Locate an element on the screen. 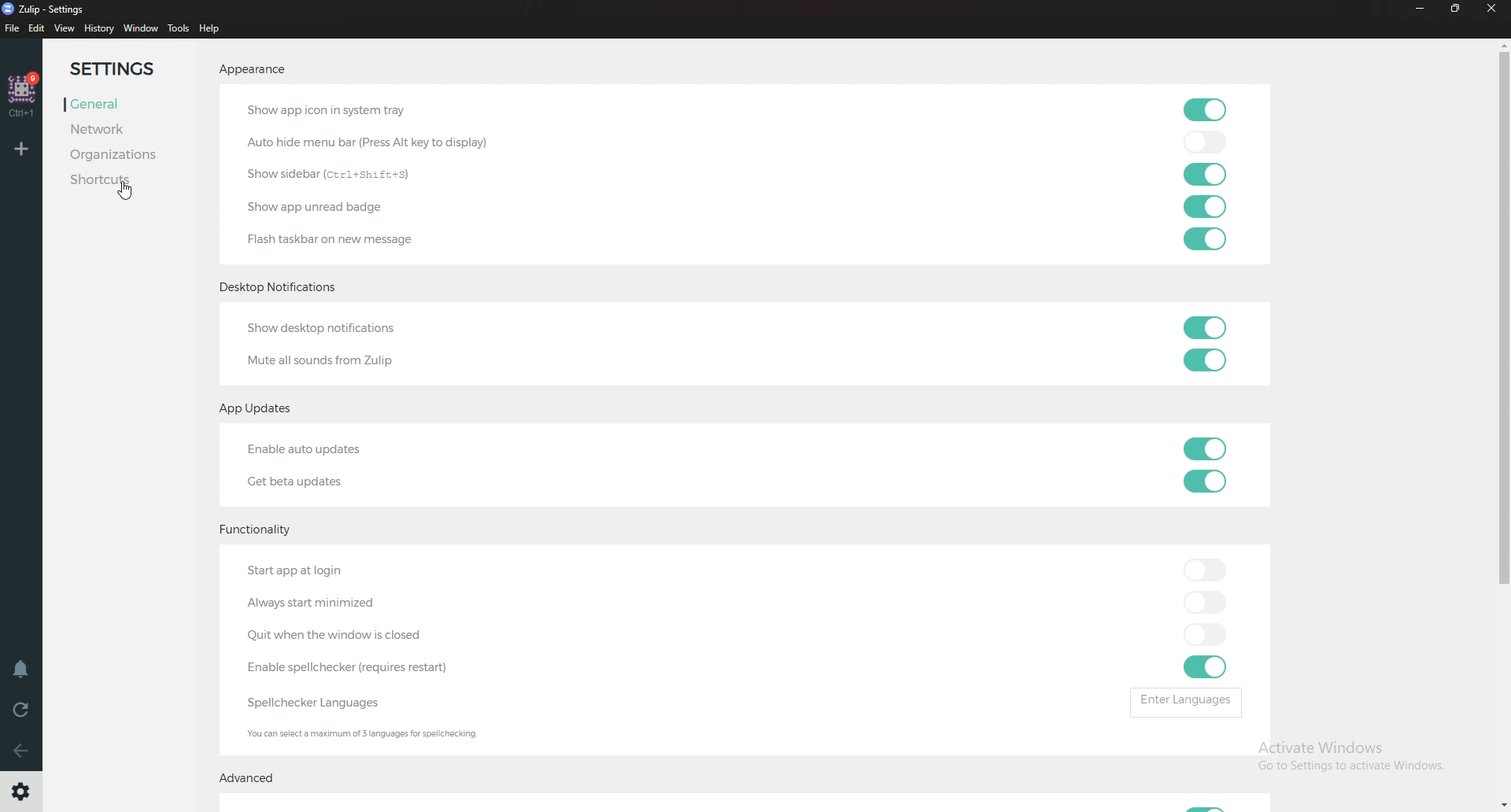  toggle is located at coordinates (1206, 635).